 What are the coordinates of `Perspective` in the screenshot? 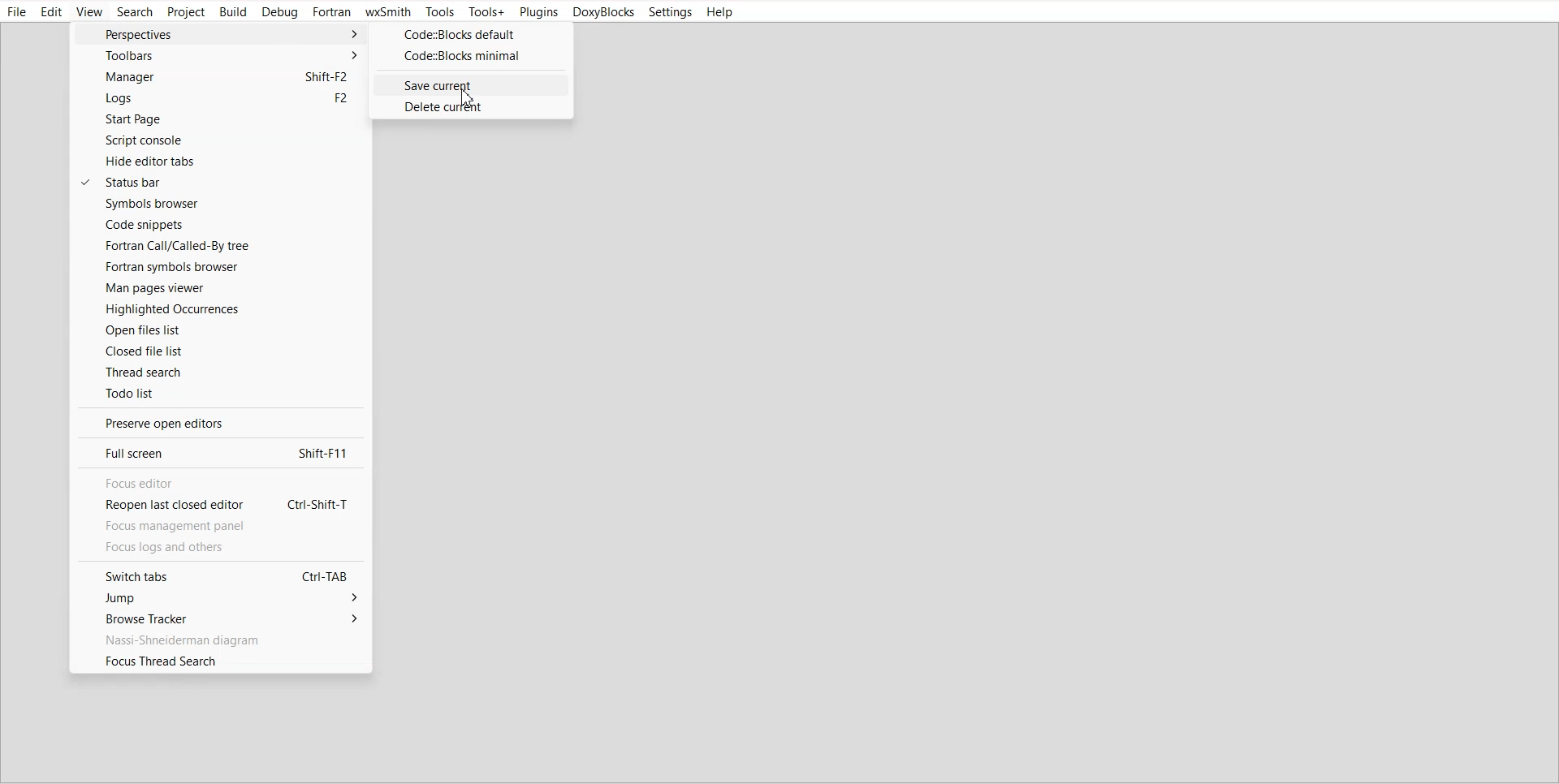 It's located at (219, 33).